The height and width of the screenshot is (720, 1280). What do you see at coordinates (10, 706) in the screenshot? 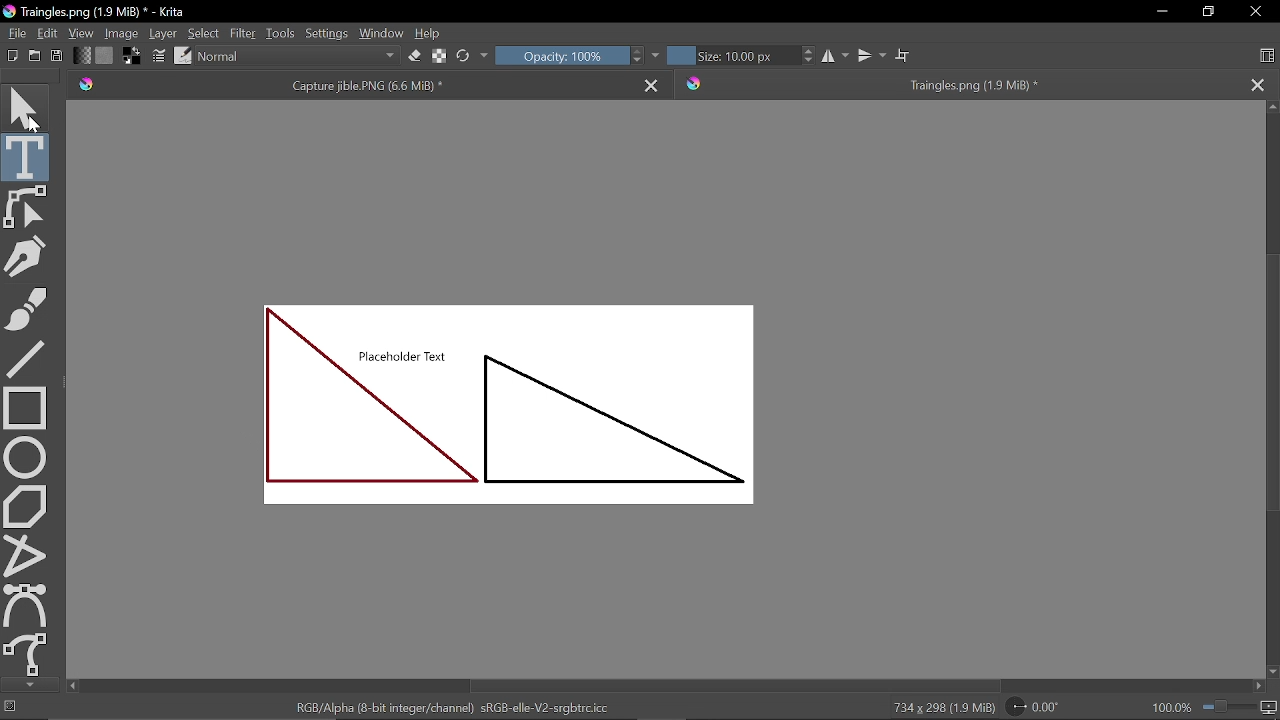
I see `No selection` at bounding box center [10, 706].